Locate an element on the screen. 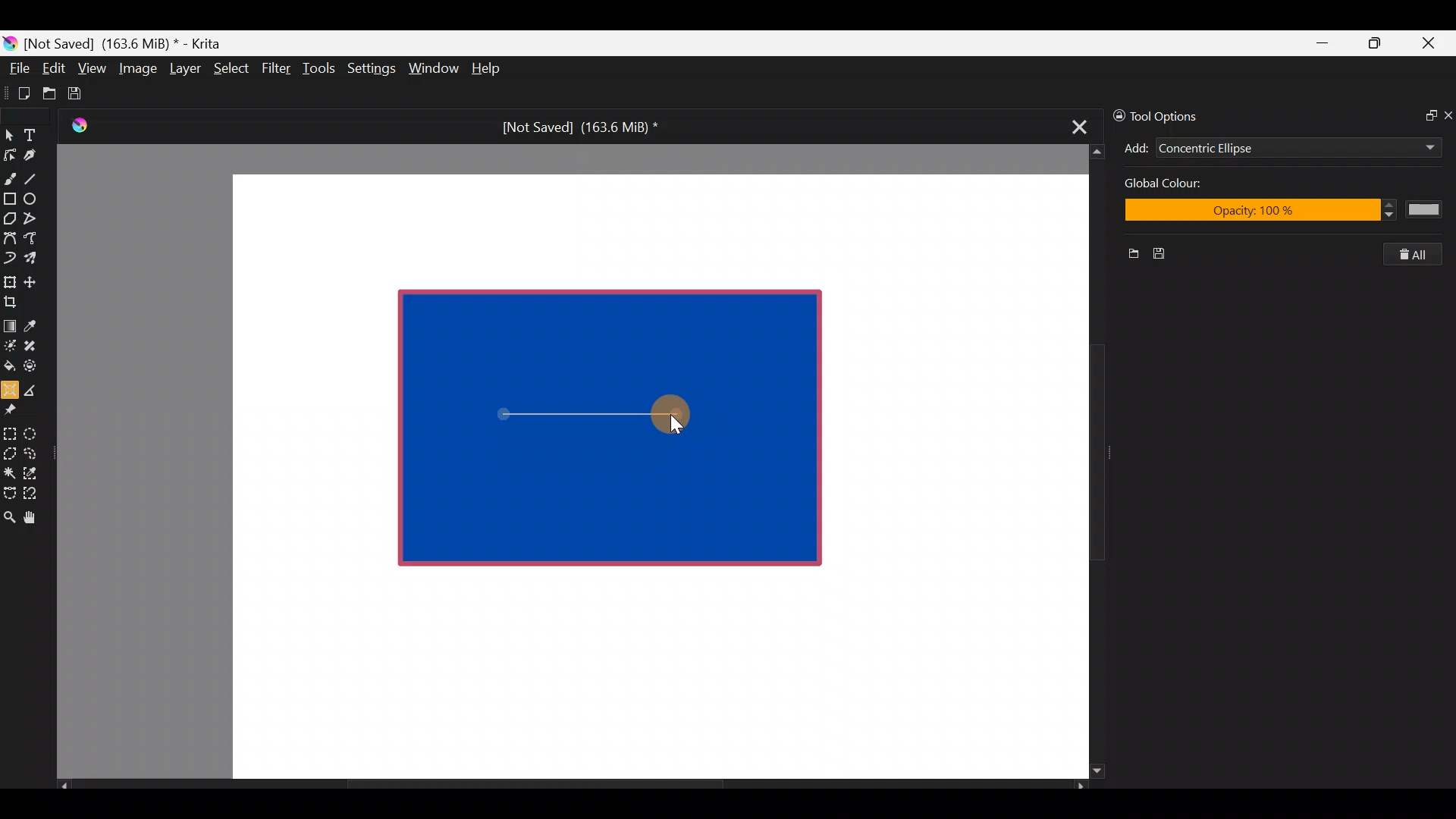 The image size is (1456, 819). Tools is located at coordinates (322, 69).